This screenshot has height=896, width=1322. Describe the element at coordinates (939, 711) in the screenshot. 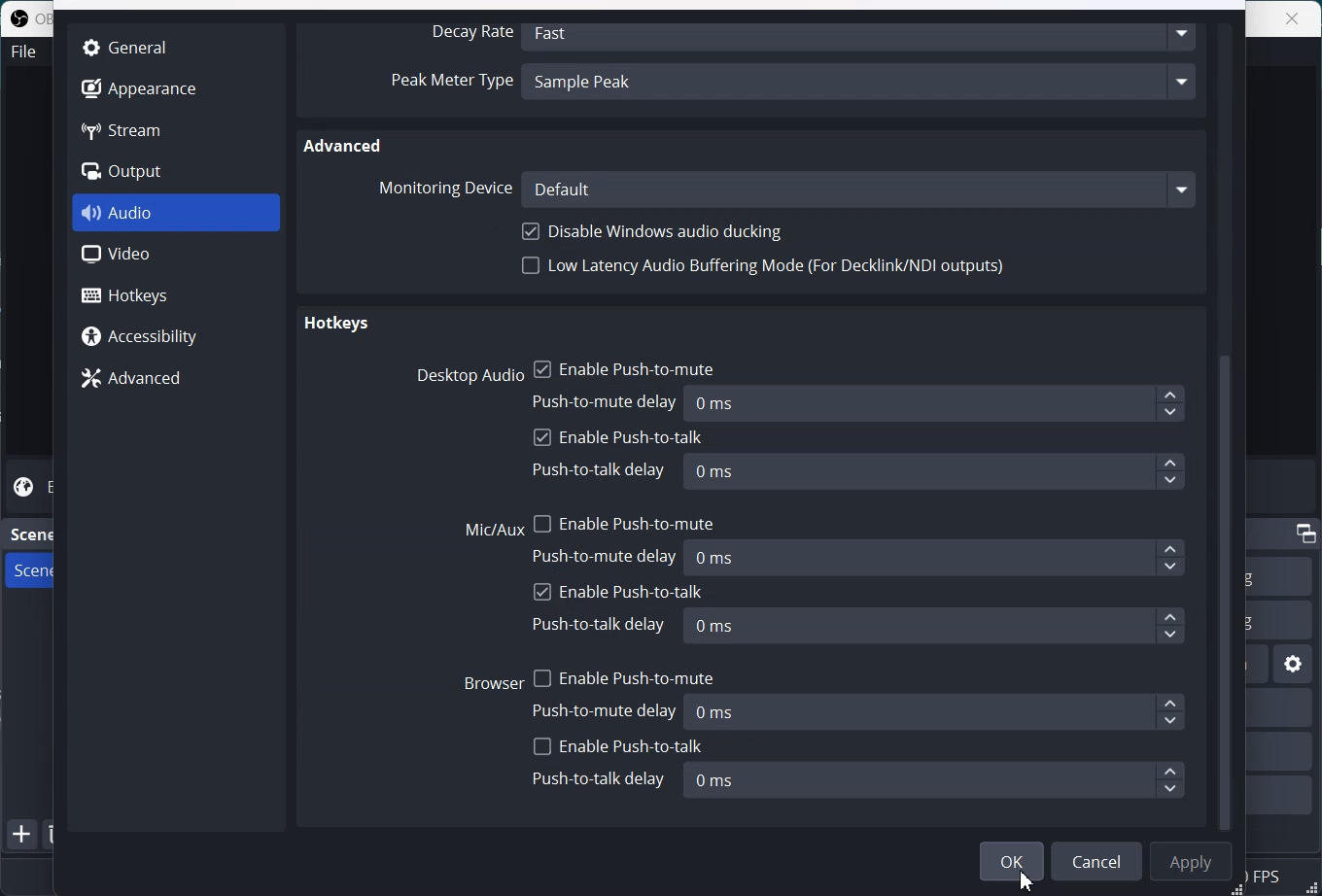

I see `0 ms` at that location.